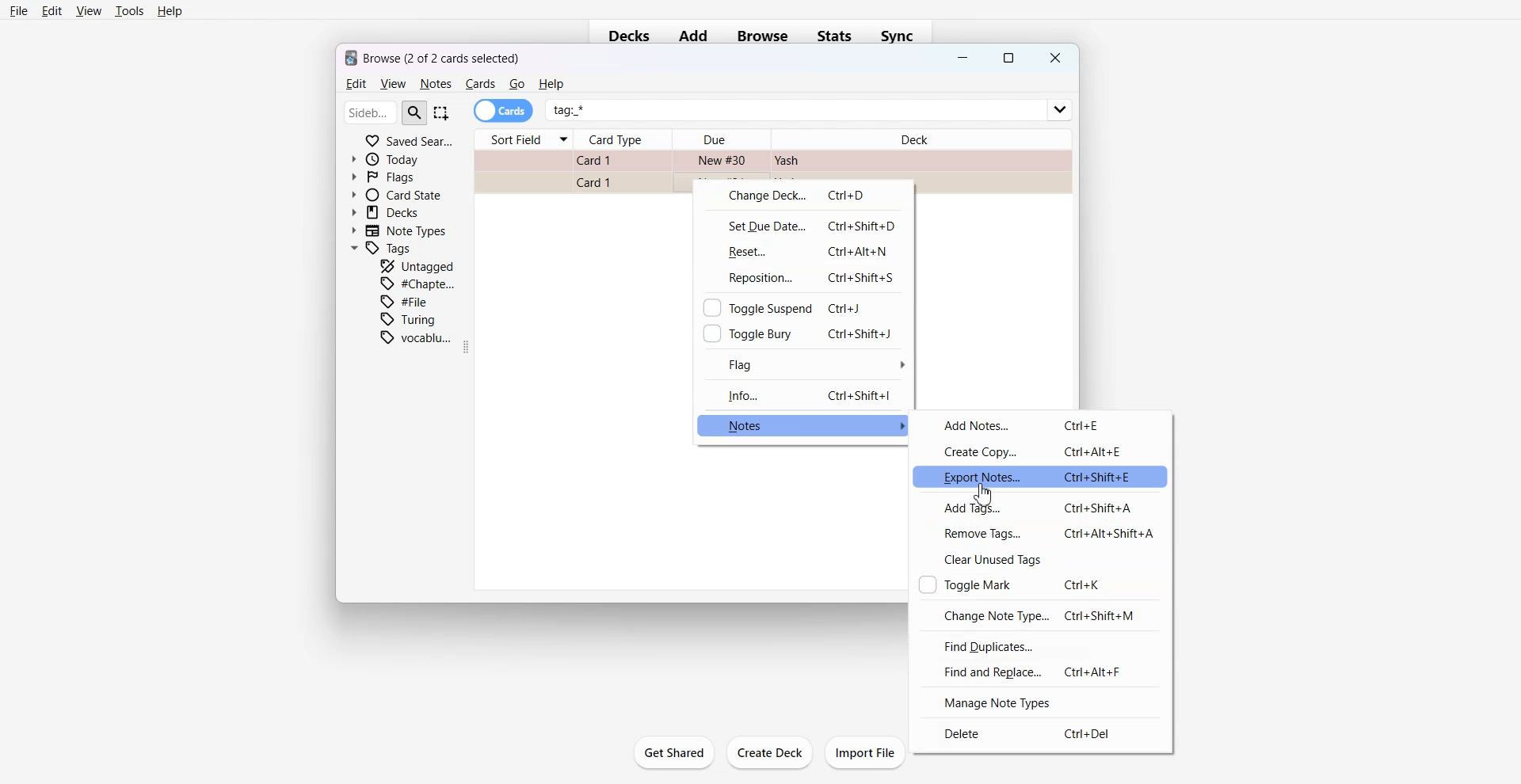  Describe the element at coordinates (1043, 451) in the screenshot. I see `Create Copy` at that location.